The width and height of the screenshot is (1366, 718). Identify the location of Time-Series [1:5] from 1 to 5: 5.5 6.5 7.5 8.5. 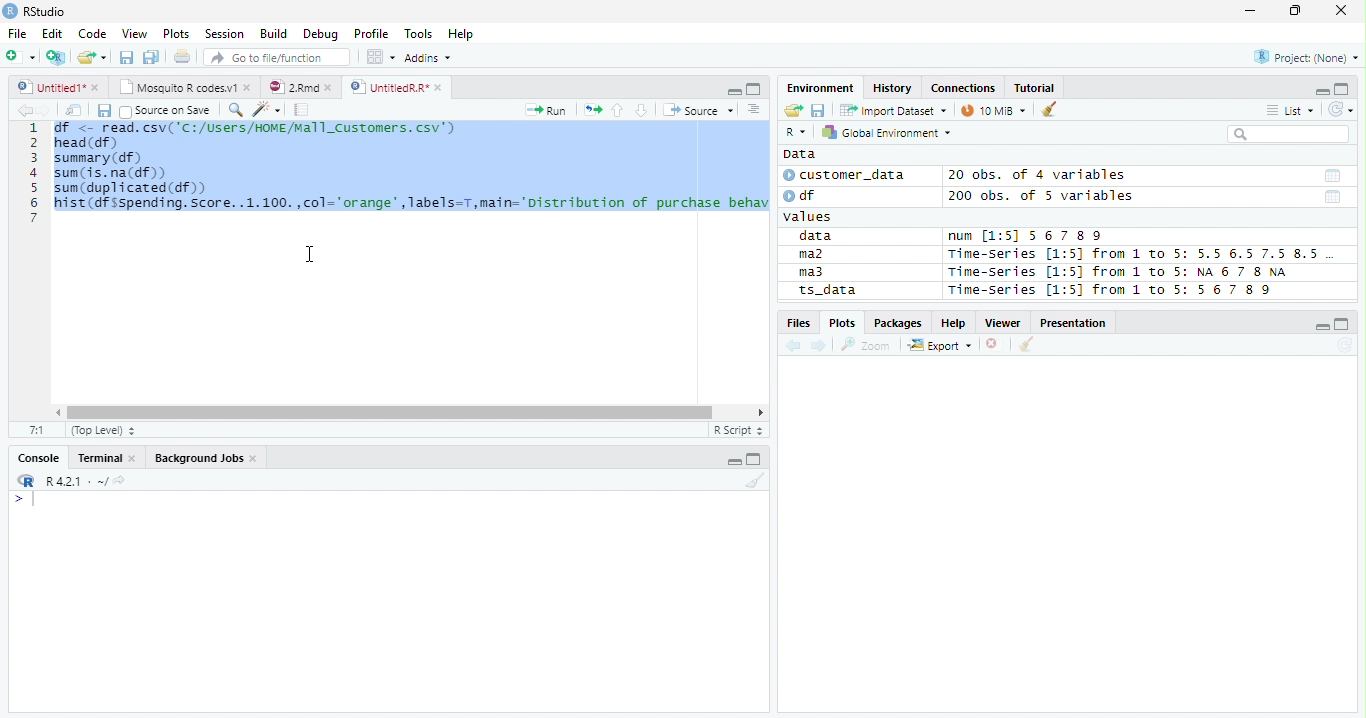
(1137, 255).